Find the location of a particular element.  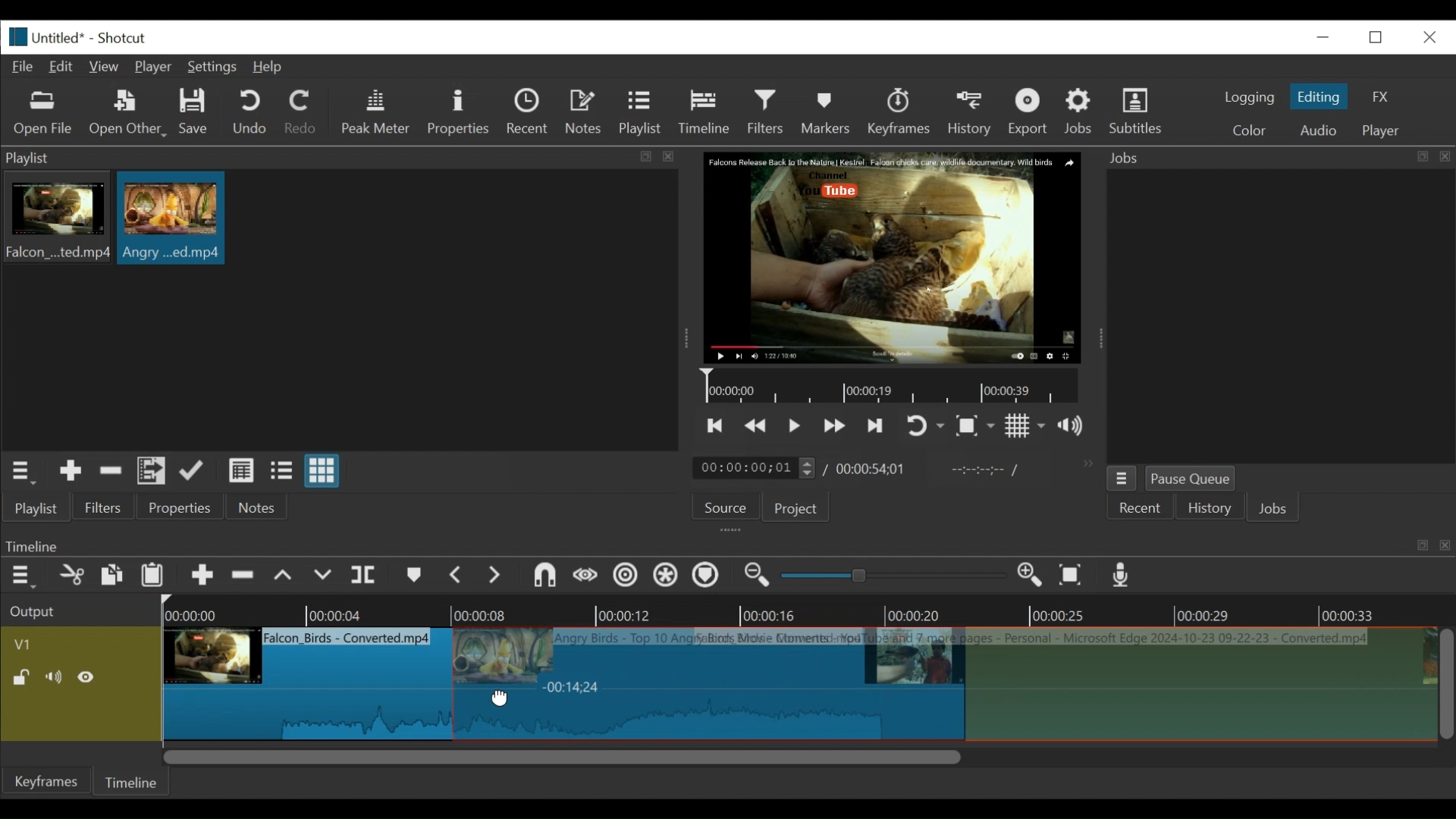

cut is located at coordinates (71, 576).